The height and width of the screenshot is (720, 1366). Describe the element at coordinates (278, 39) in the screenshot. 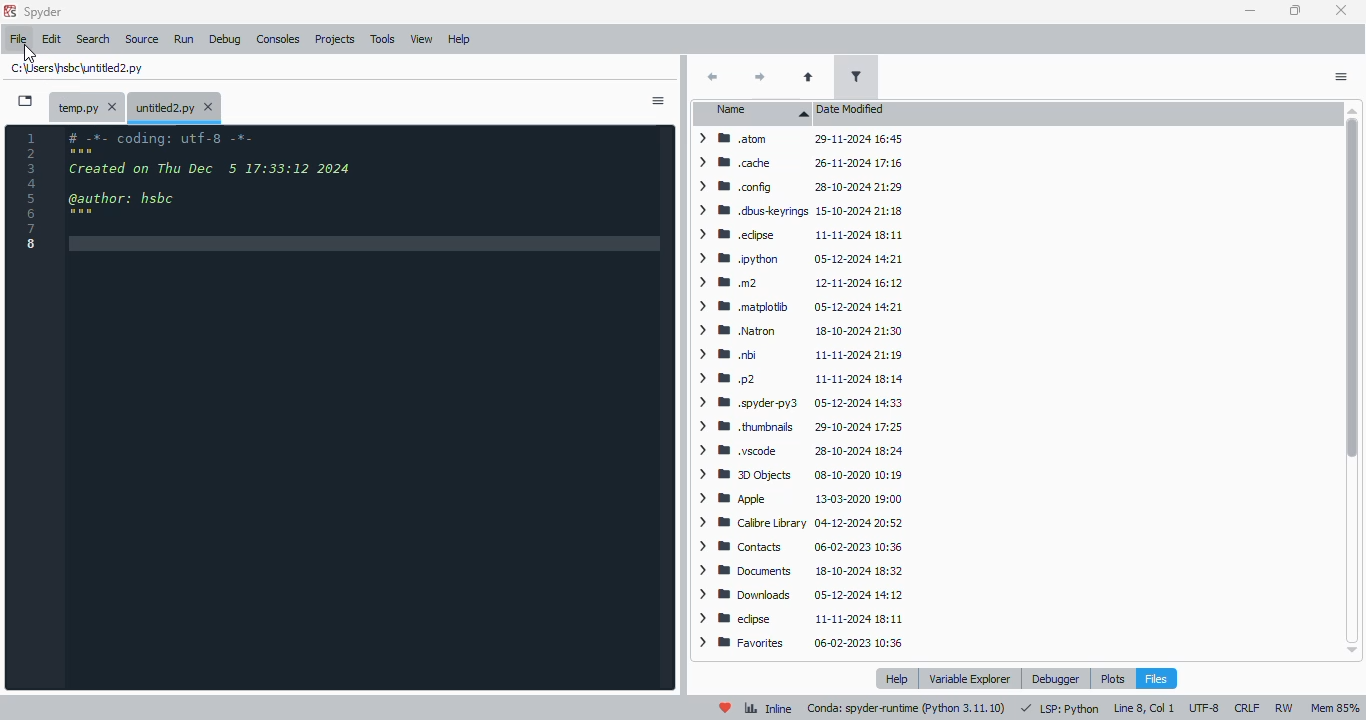

I see `consoles` at that location.